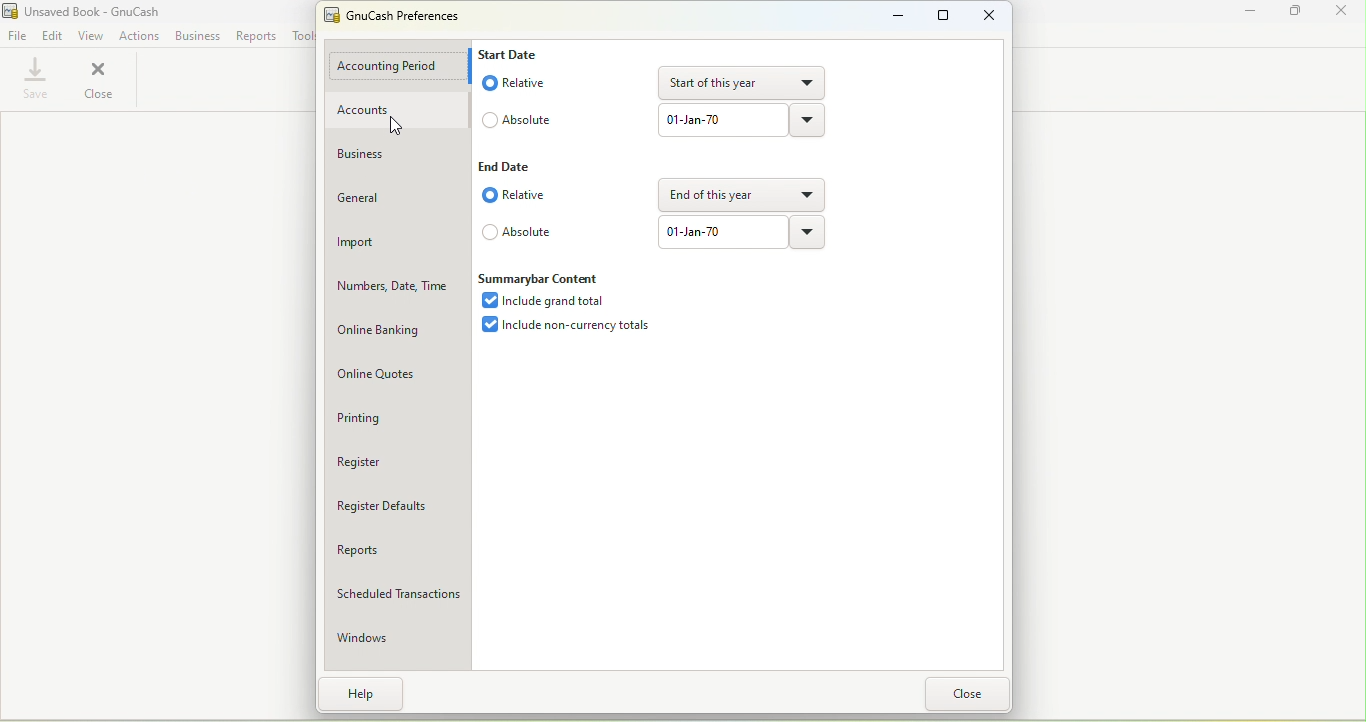 The image size is (1366, 722). What do you see at coordinates (1346, 14) in the screenshot?
I see `Close` at bounding box center [1346, 14].